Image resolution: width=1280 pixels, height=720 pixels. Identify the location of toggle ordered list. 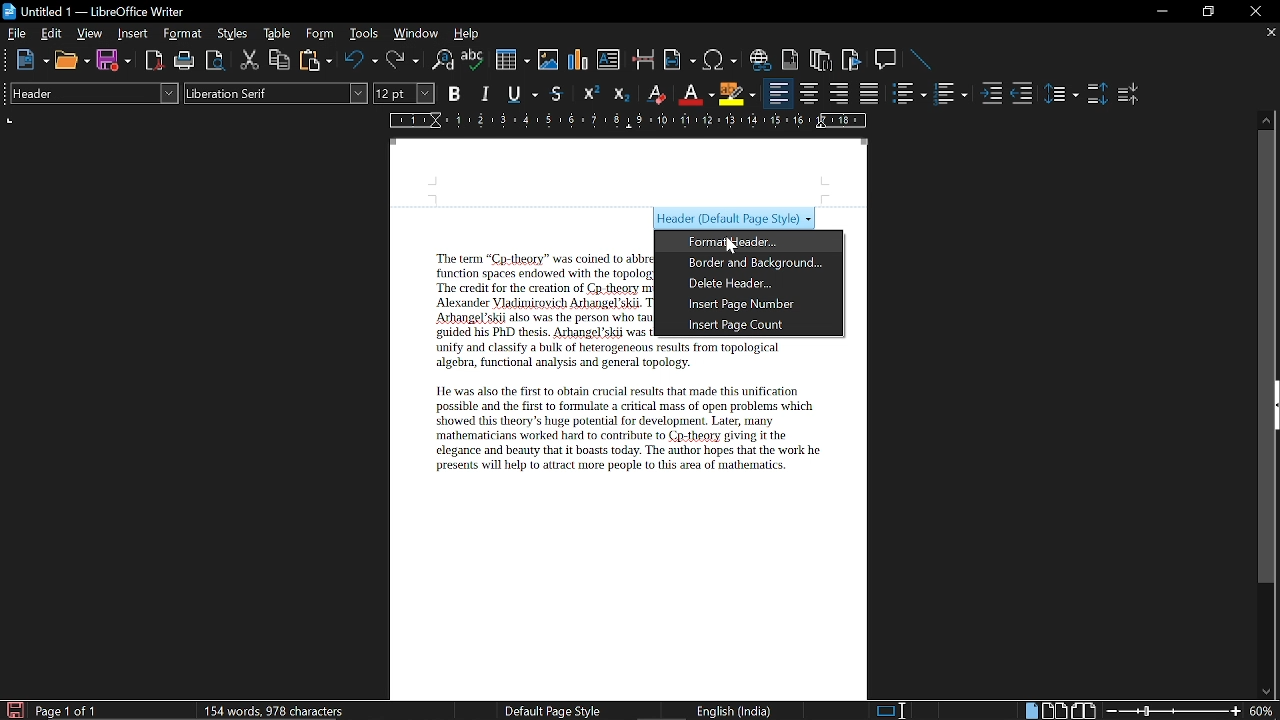
(909, 94).